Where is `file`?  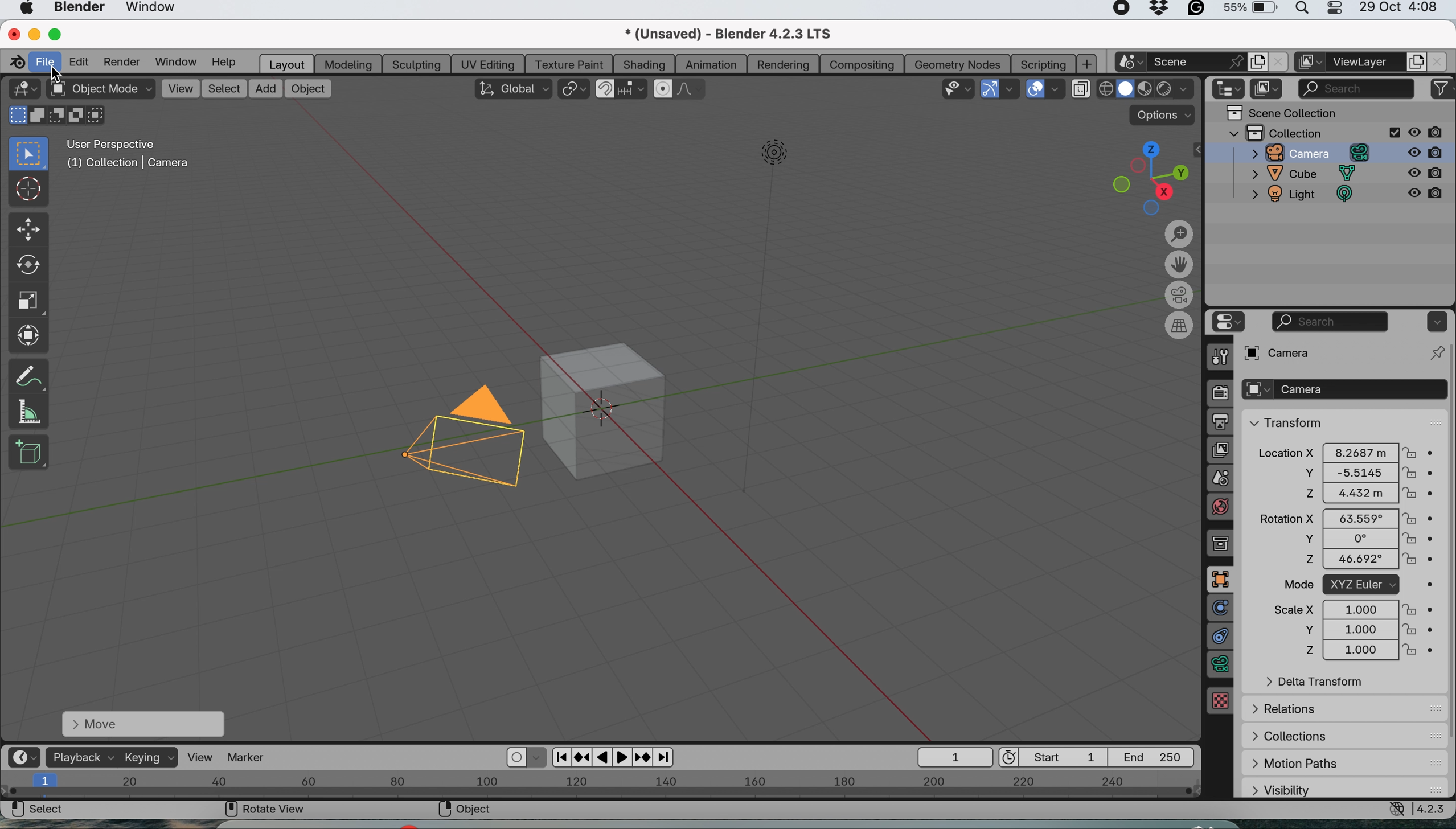
file is located at coordinates (47, 60).